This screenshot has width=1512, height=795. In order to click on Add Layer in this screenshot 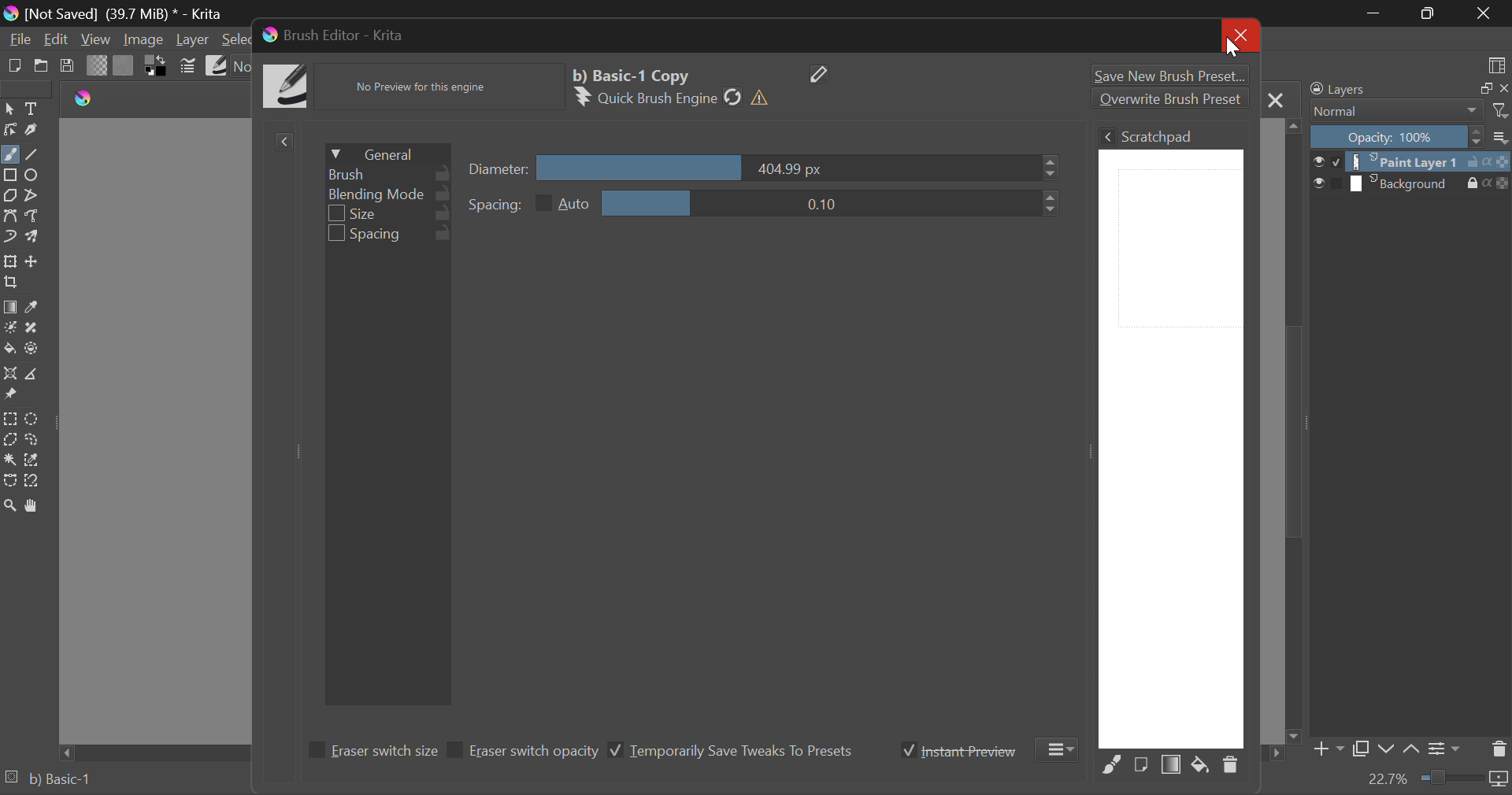, I will do `click(1328, 749)`.